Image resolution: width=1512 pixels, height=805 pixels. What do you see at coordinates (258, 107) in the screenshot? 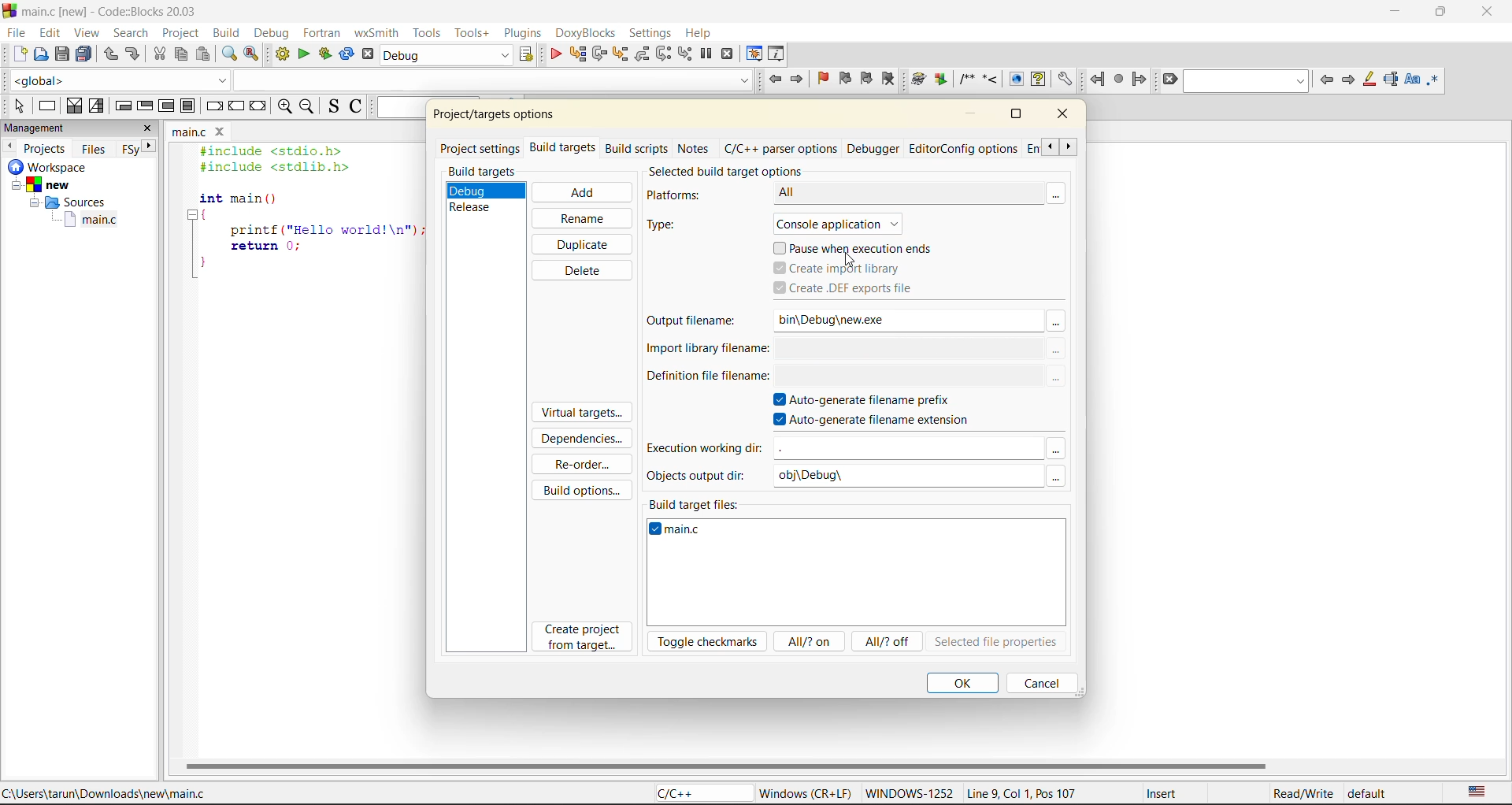
I see `return instruction` at bounding box center [258, 107].